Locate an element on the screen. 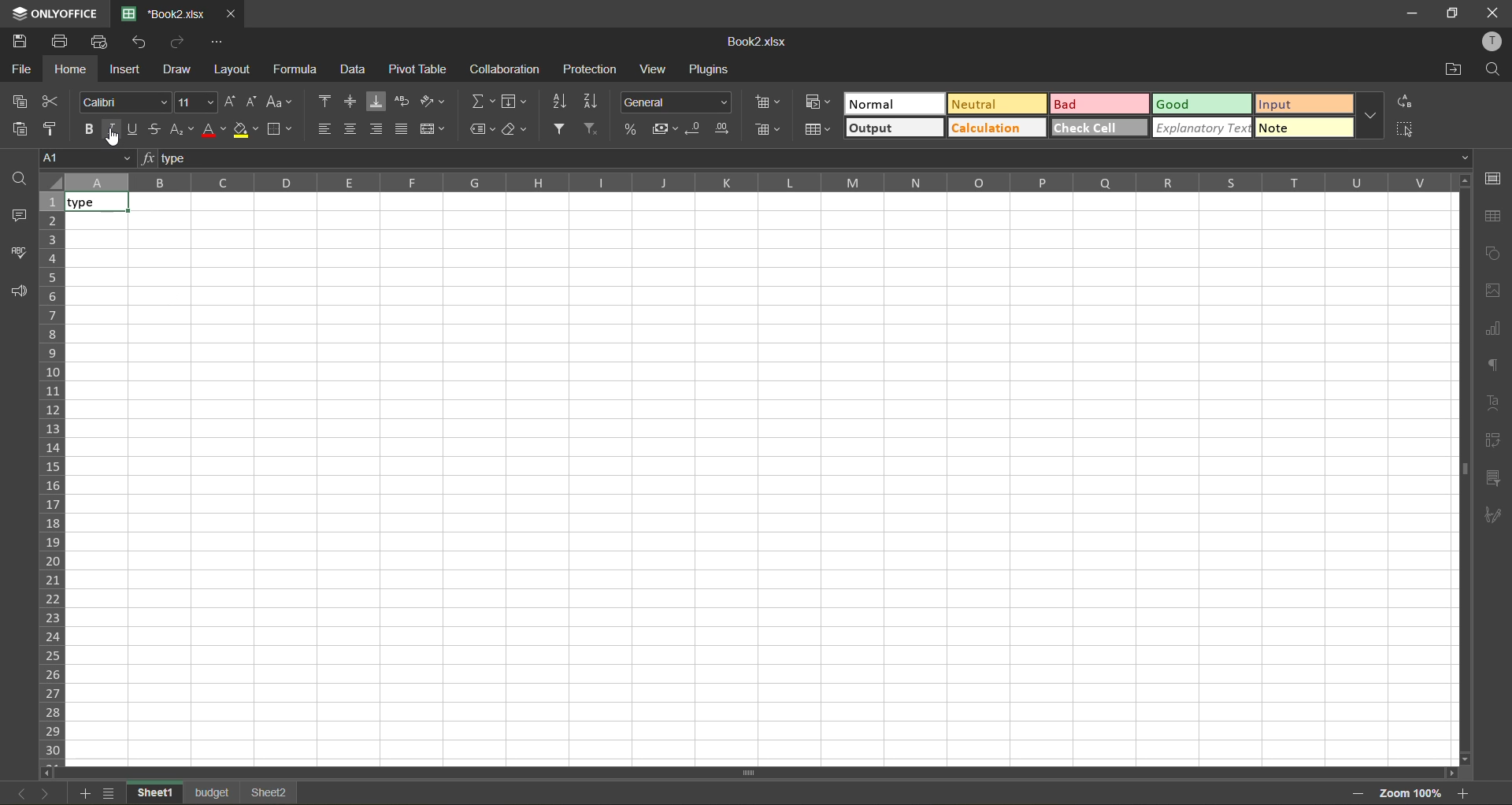 Image resolution: width=1512 pixels, height=805 pixels. replace is located at coordinates (1407, 103).